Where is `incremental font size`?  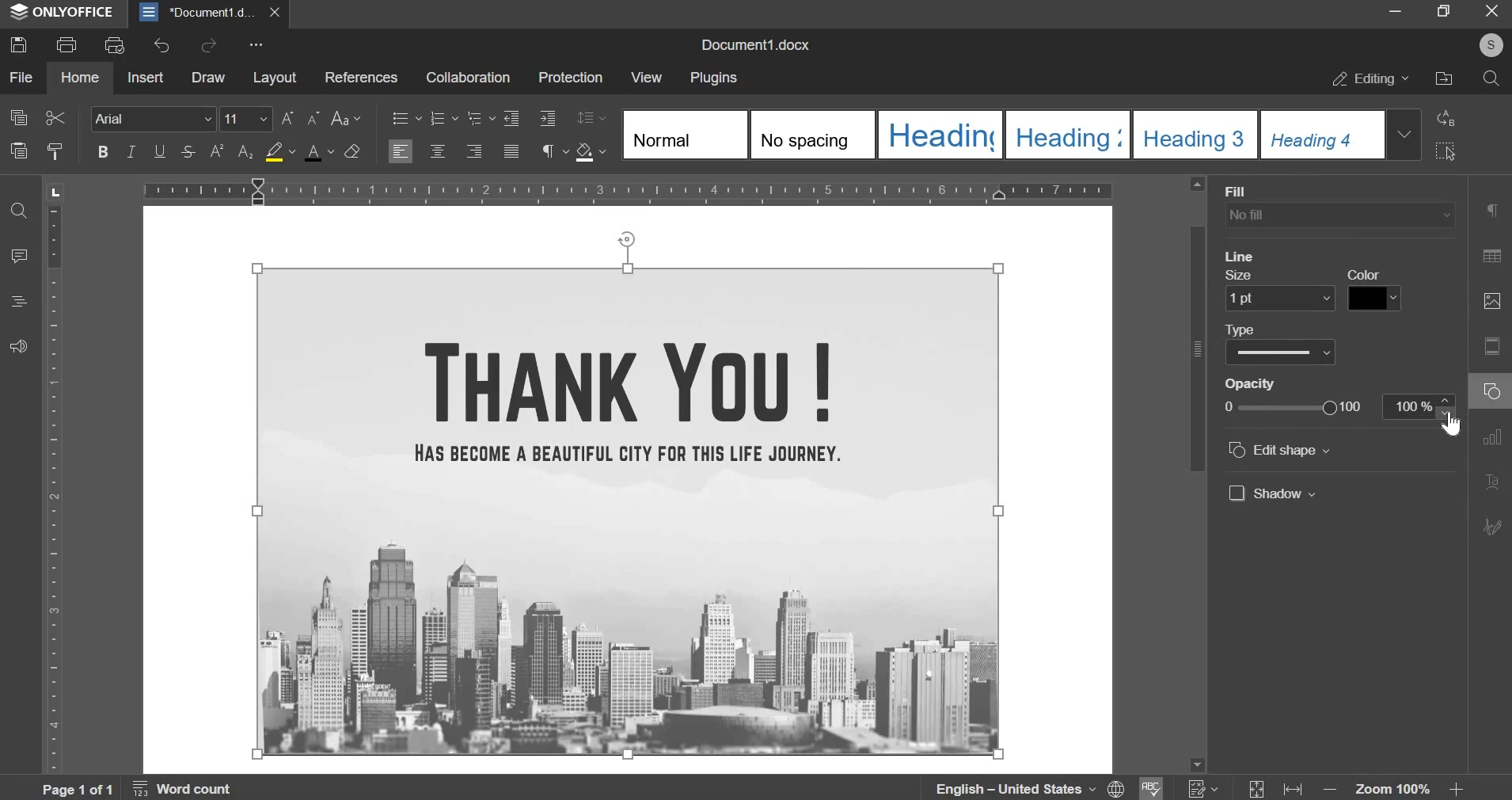
incremental font size is located at coordinates (290, 119).